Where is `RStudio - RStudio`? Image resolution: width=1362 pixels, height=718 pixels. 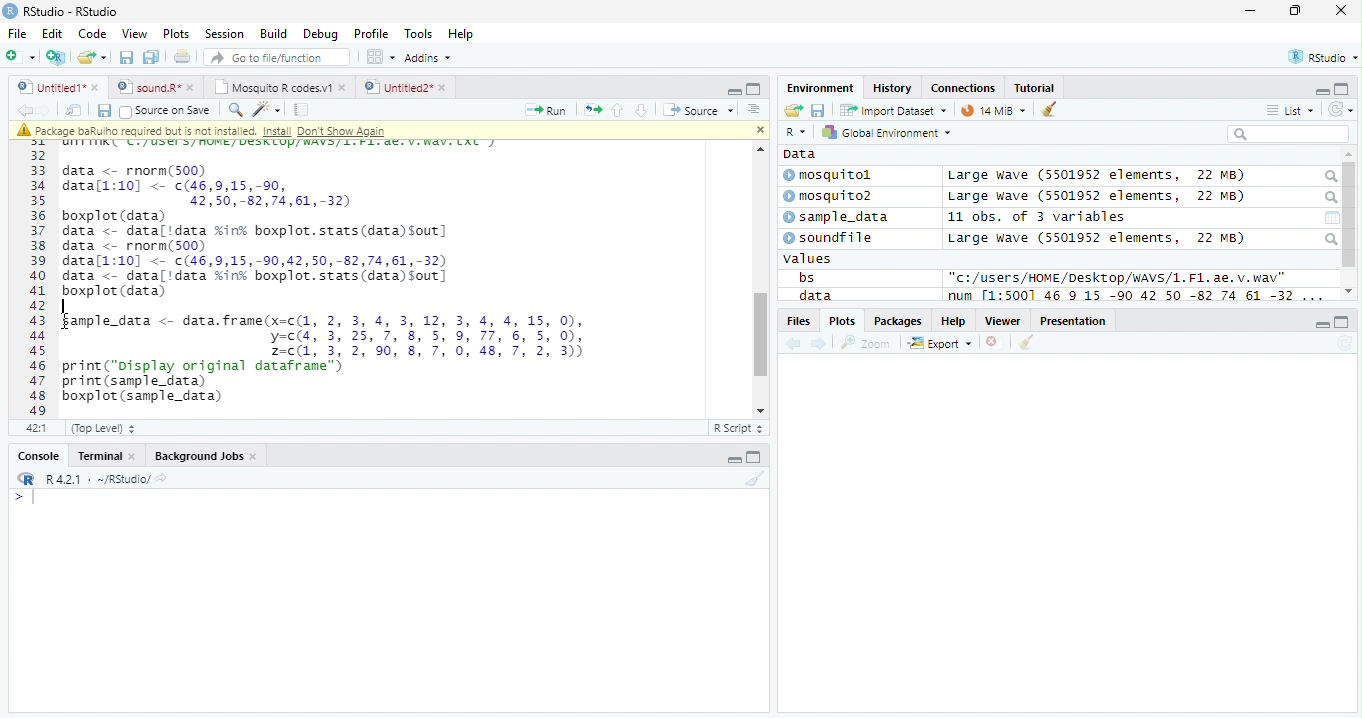
RStudio - RStudio is located at coordinates (71, 11).